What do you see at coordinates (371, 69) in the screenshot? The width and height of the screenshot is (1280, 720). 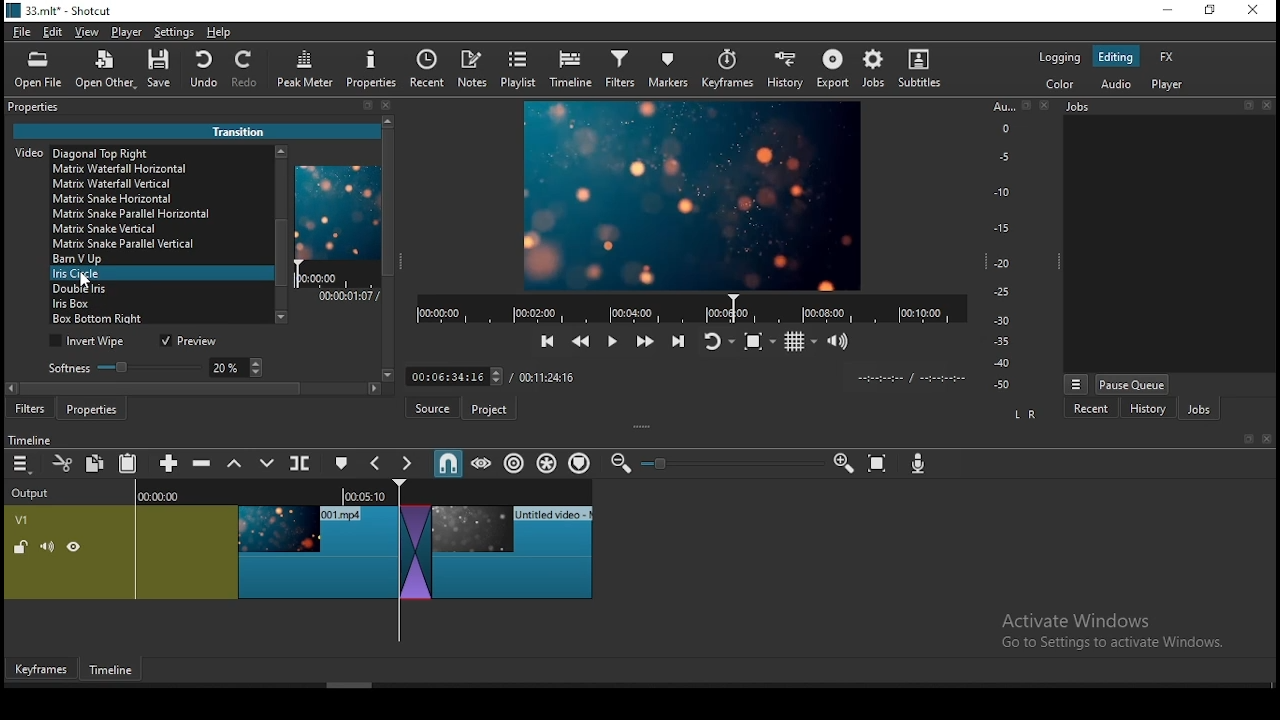 I see `properties` at bounding box center [371, 69].